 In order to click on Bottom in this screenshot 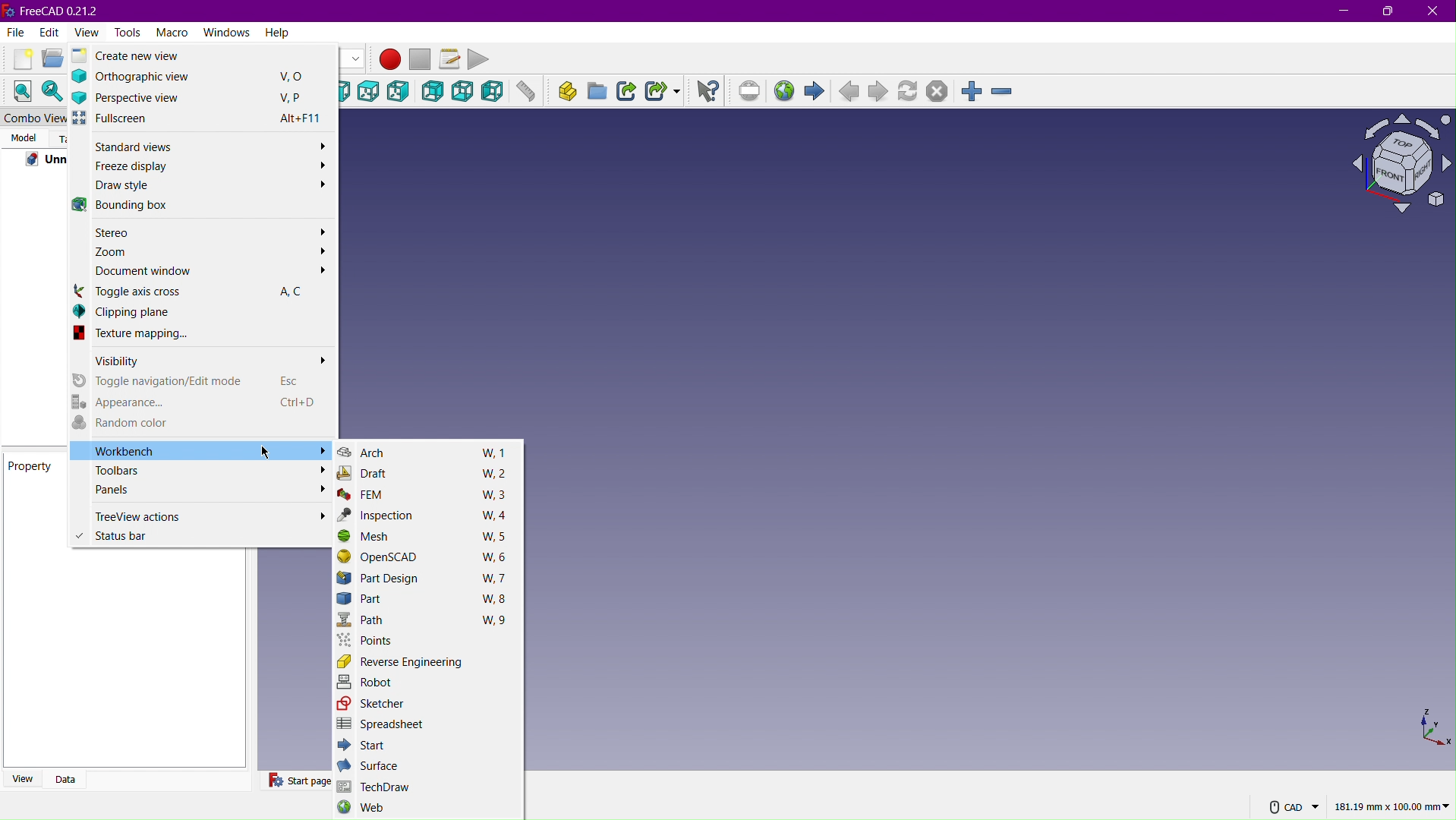, I will do `click(464, 92)`.